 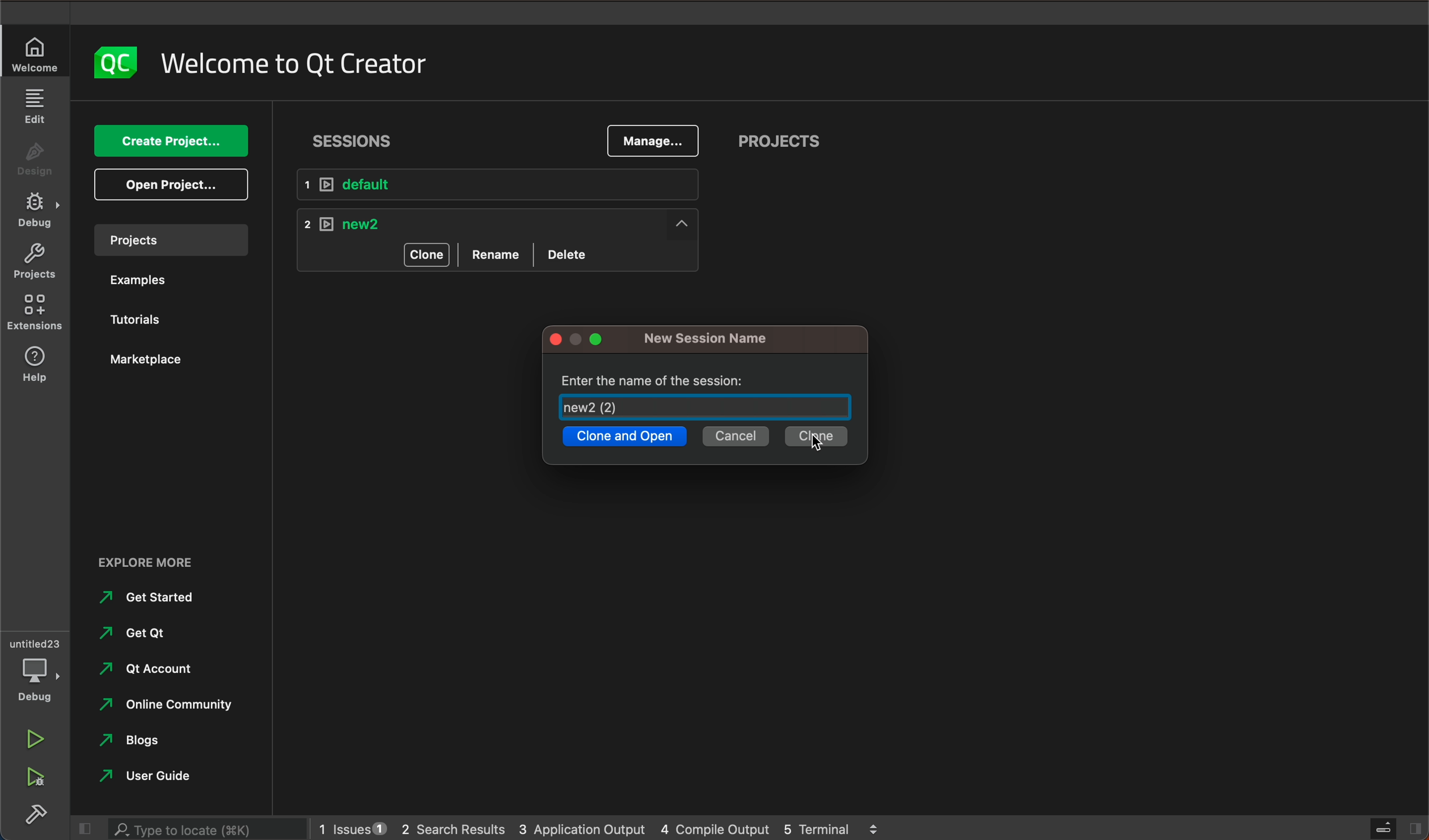 I want to click on clone and open, so click(x=624, y=439).